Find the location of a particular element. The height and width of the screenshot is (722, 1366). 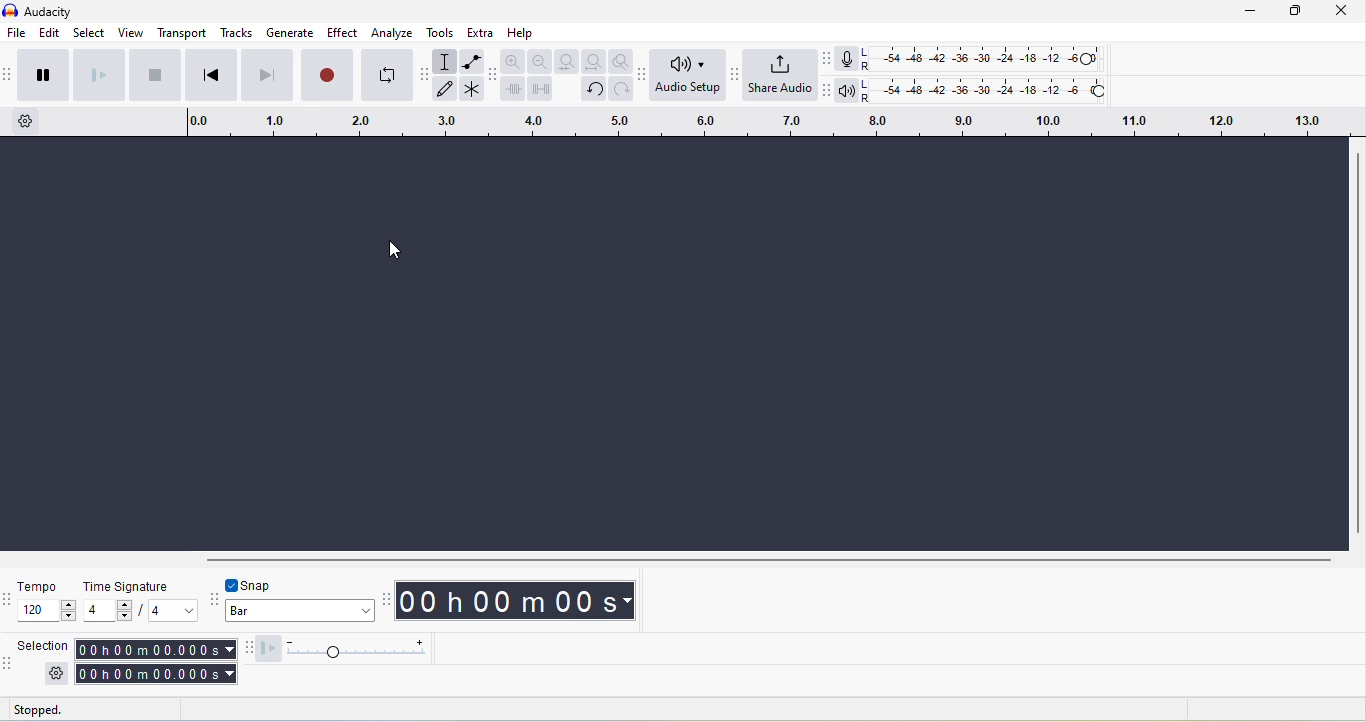

audacity audio setup toolbar is located at coordinates (647, 76).